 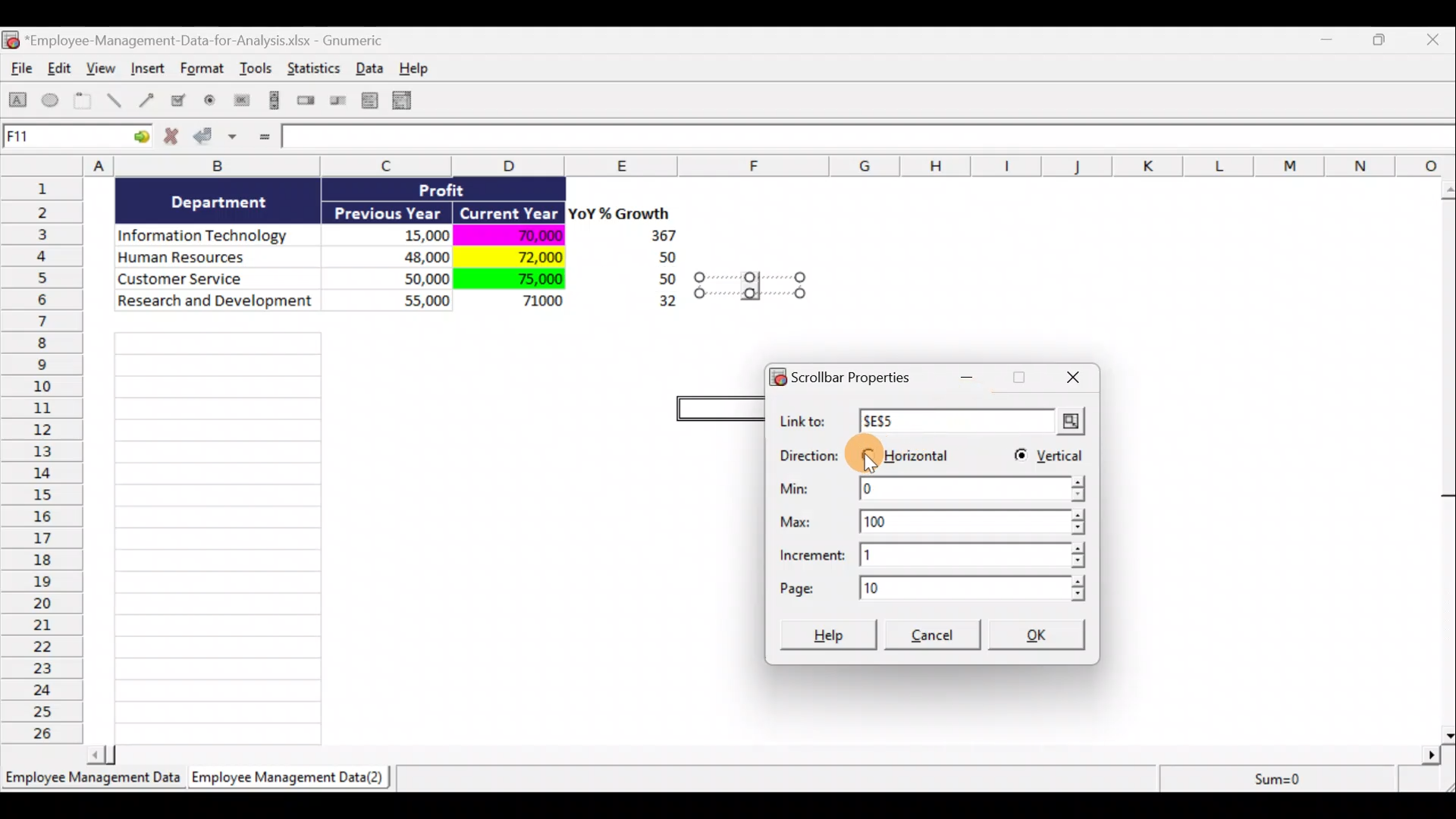 I want to click on Horizontal, so click(x=908, y=452).